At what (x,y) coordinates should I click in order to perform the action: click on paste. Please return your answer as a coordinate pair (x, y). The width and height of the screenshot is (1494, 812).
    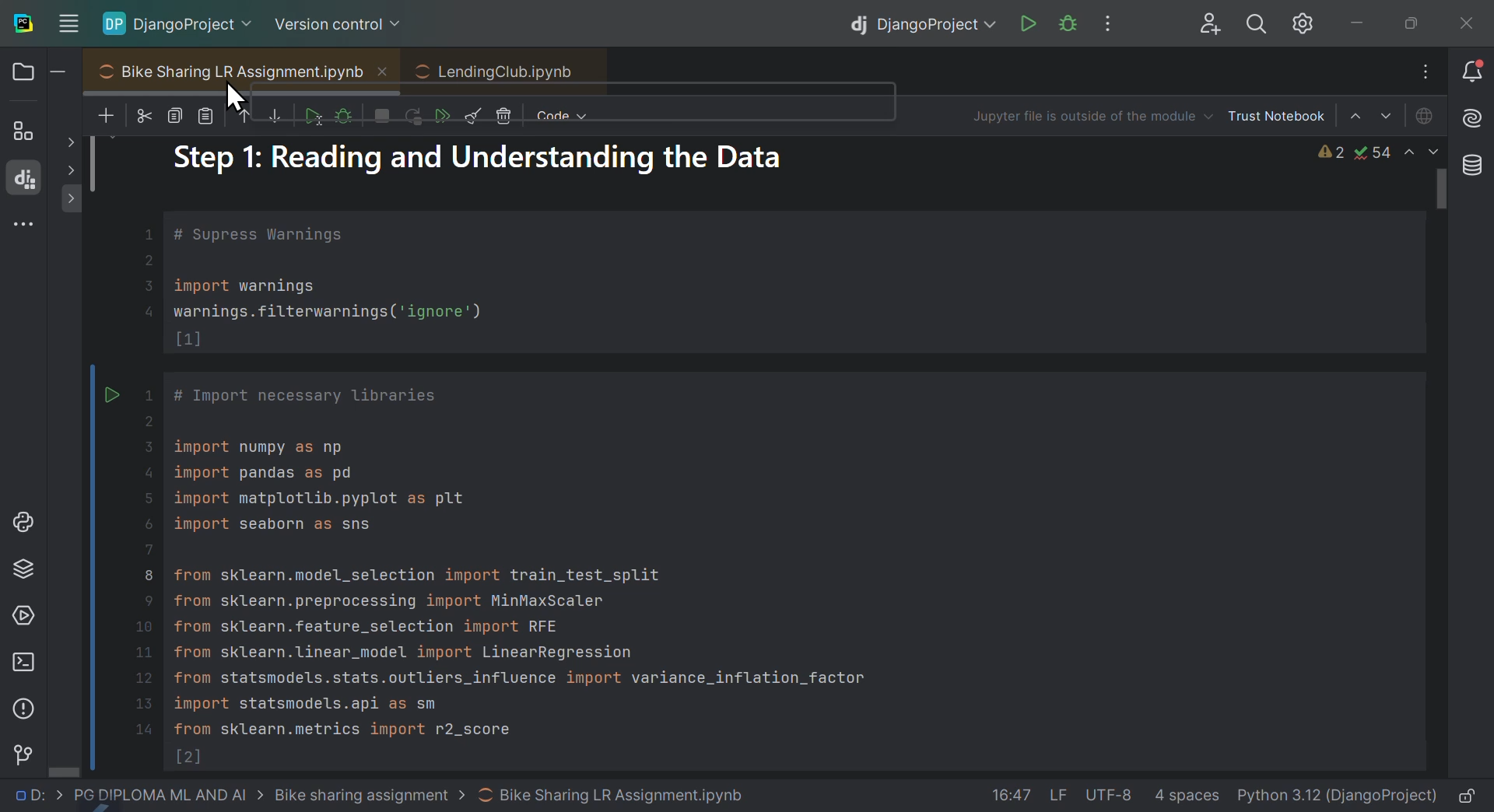
    Looking at the image, I should click on (209, 115).